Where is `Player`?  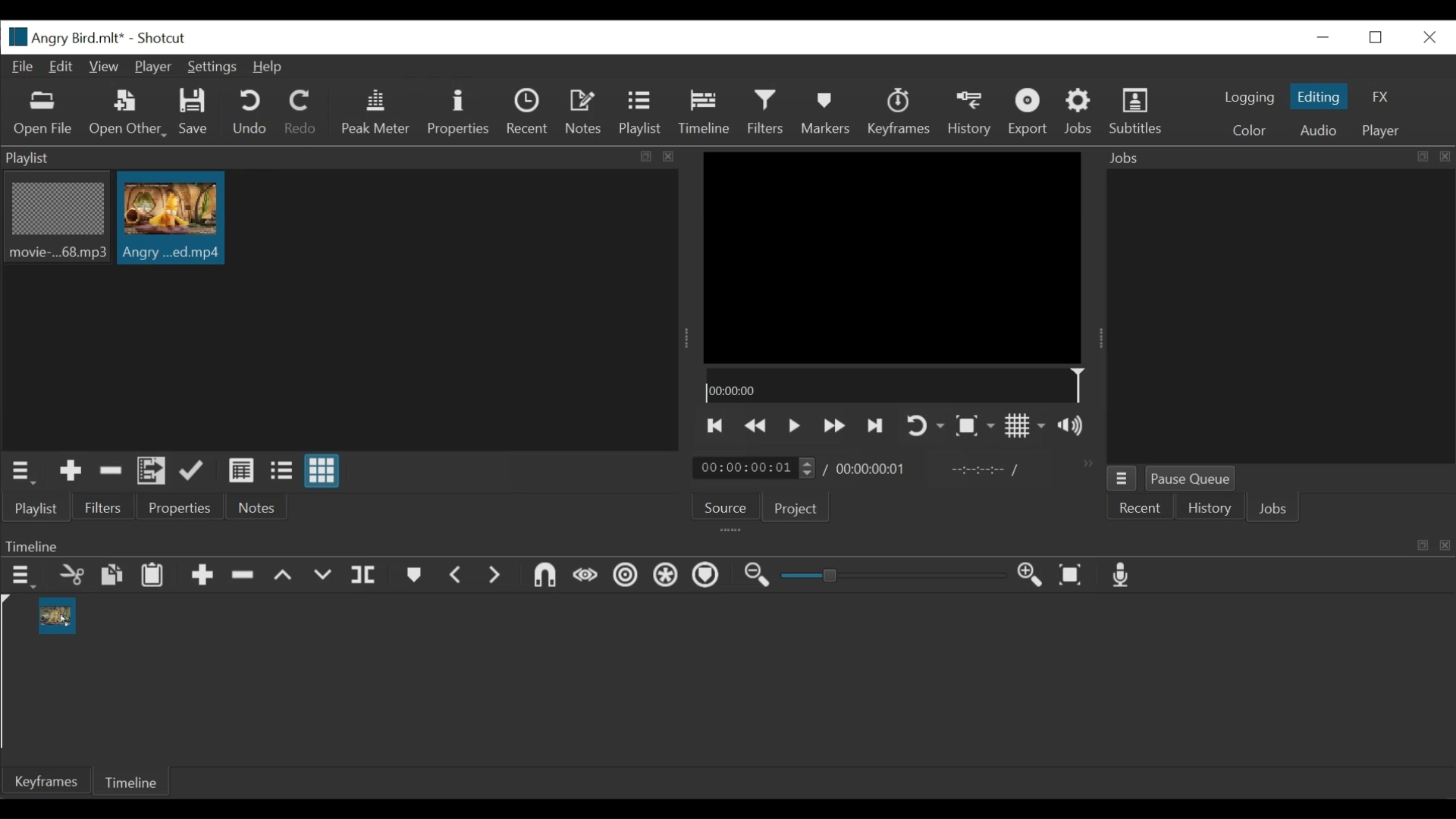
Player is located at coordinates (1380, 132).